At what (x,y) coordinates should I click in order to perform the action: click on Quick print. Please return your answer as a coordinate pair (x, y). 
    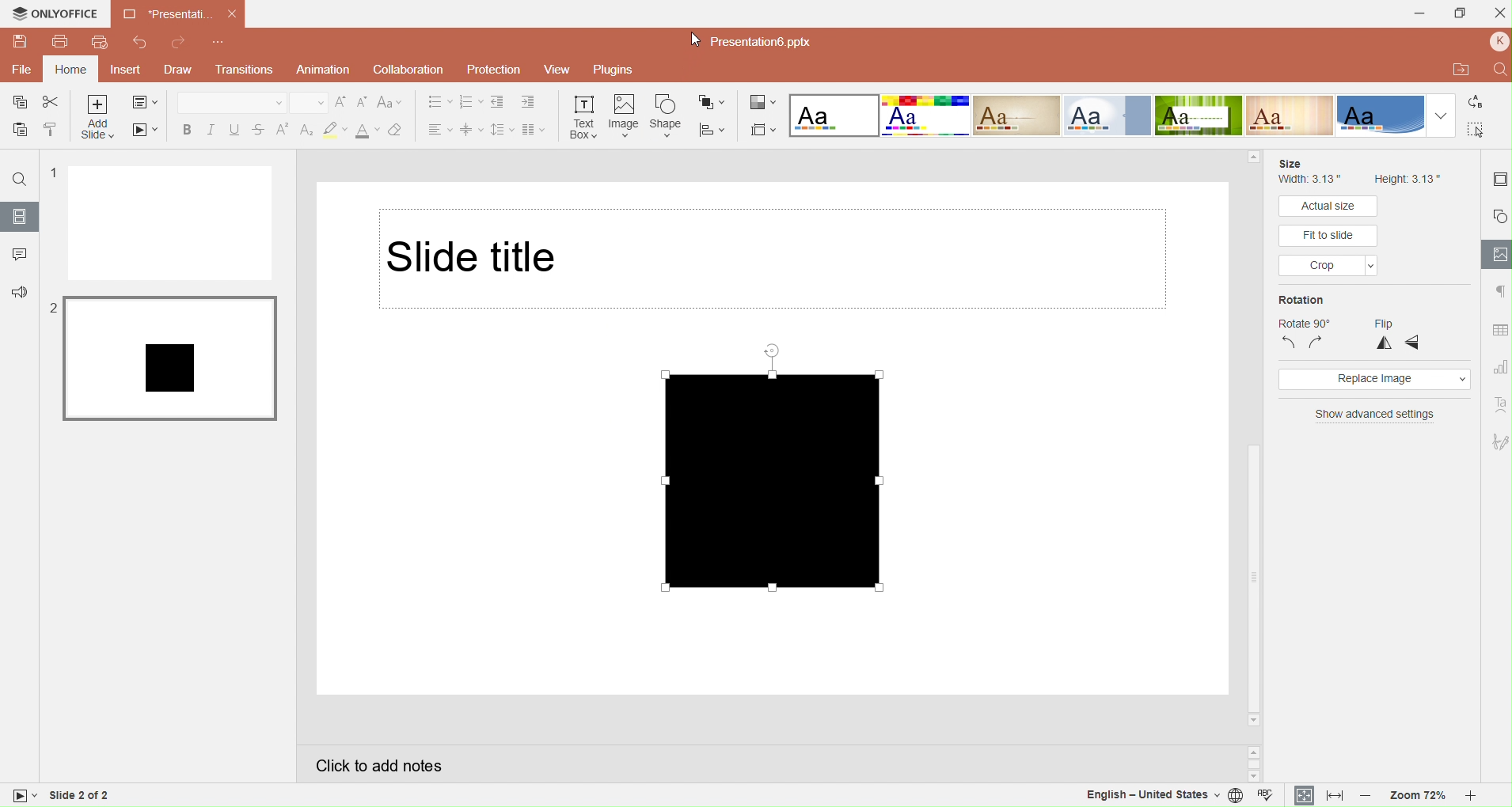
    Looking at the image, I should click on (99, 44).